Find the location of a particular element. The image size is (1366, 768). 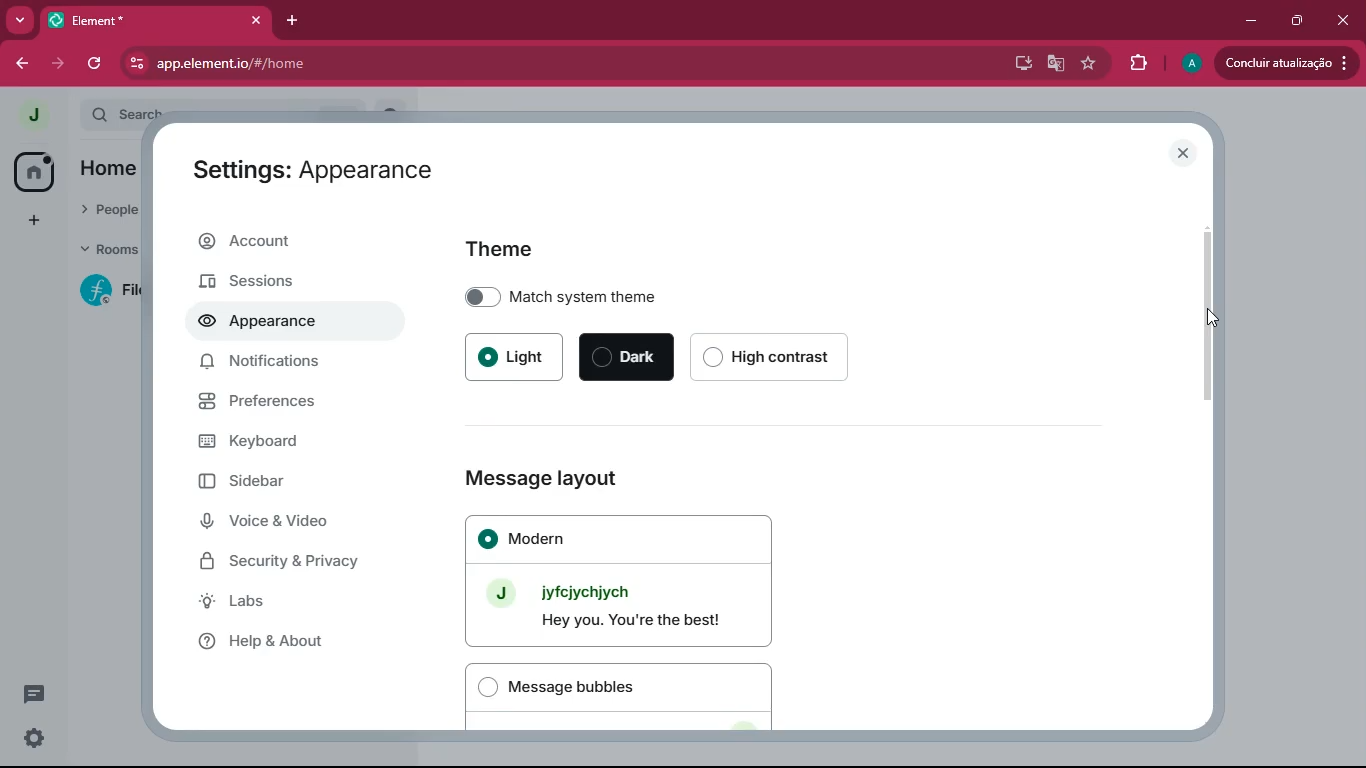

message is located at coordinates (32, 697).